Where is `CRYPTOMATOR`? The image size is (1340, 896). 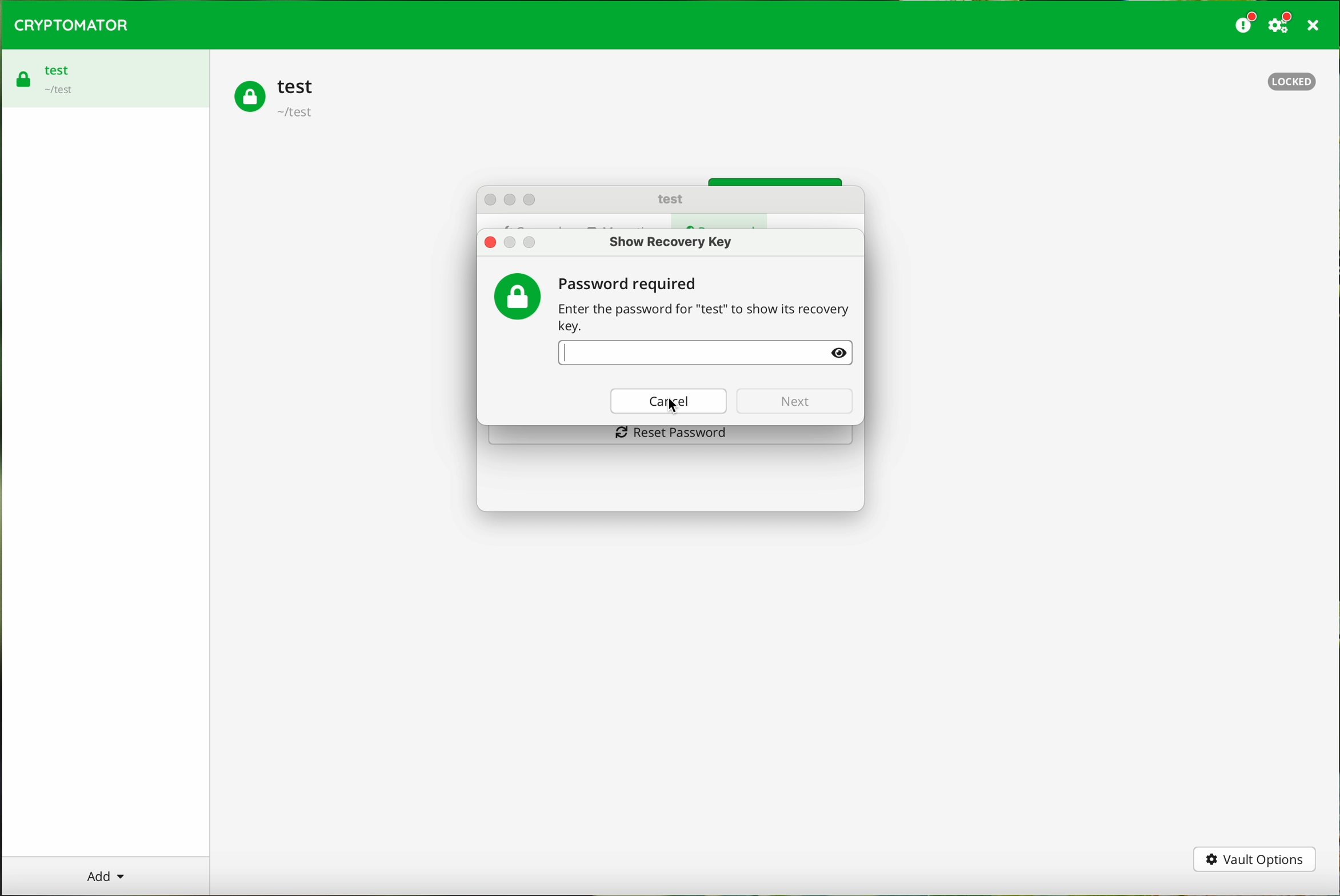
CRYPTOMATOR is located at coordinates (72, 25).